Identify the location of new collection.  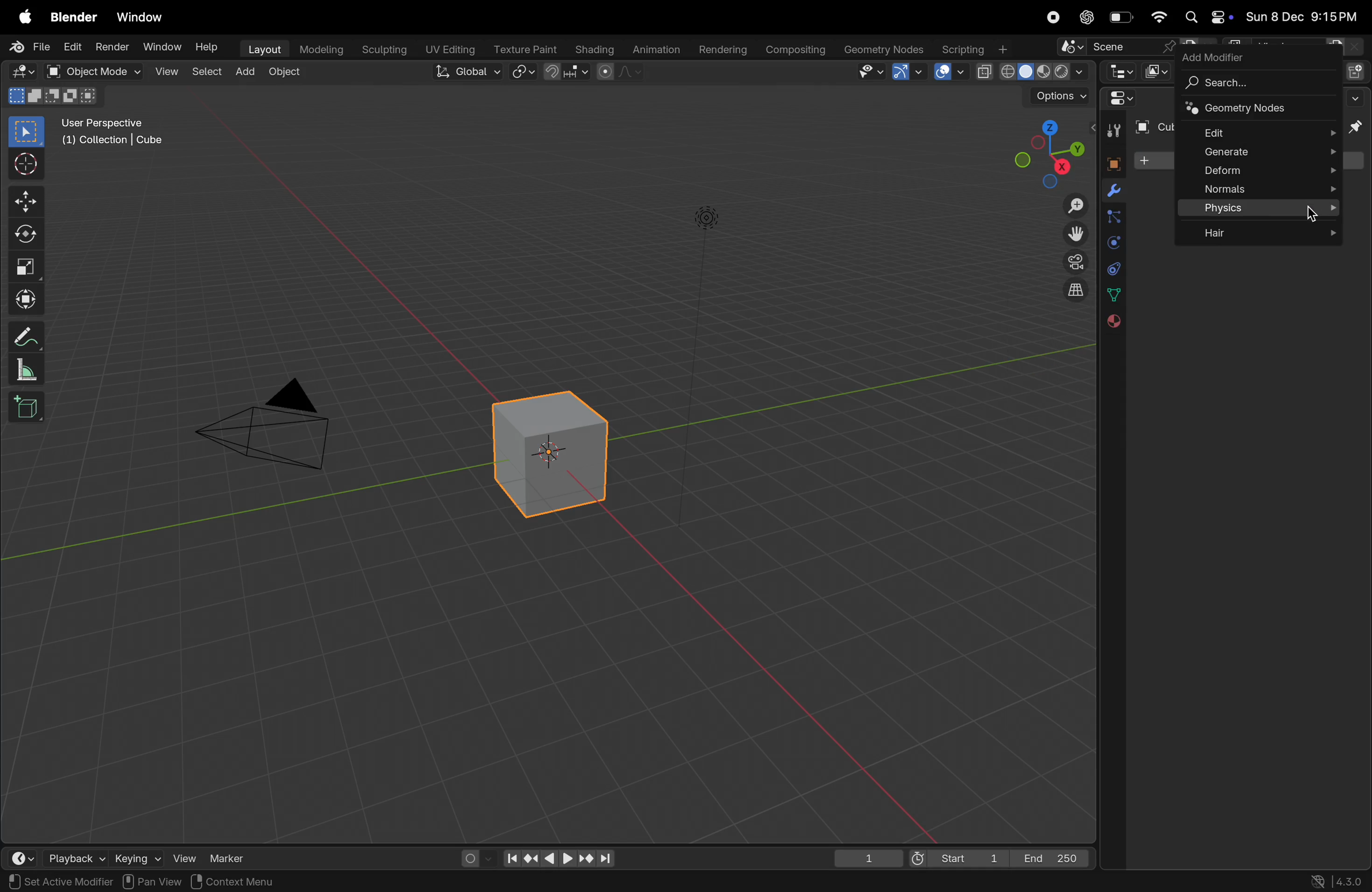
(1356, 70).